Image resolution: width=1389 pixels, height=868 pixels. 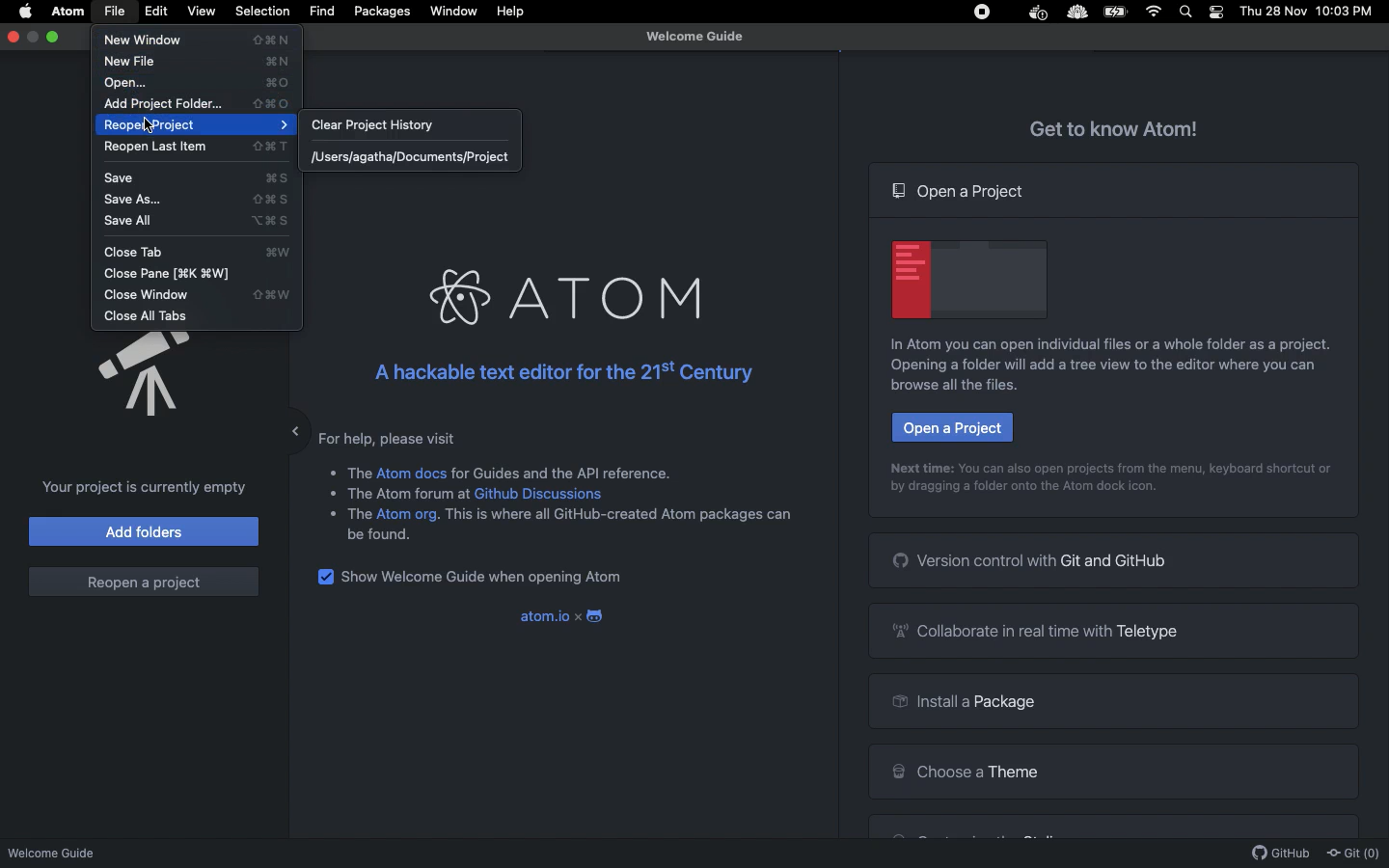 I want to click on Open, so click(x=199, y=83).